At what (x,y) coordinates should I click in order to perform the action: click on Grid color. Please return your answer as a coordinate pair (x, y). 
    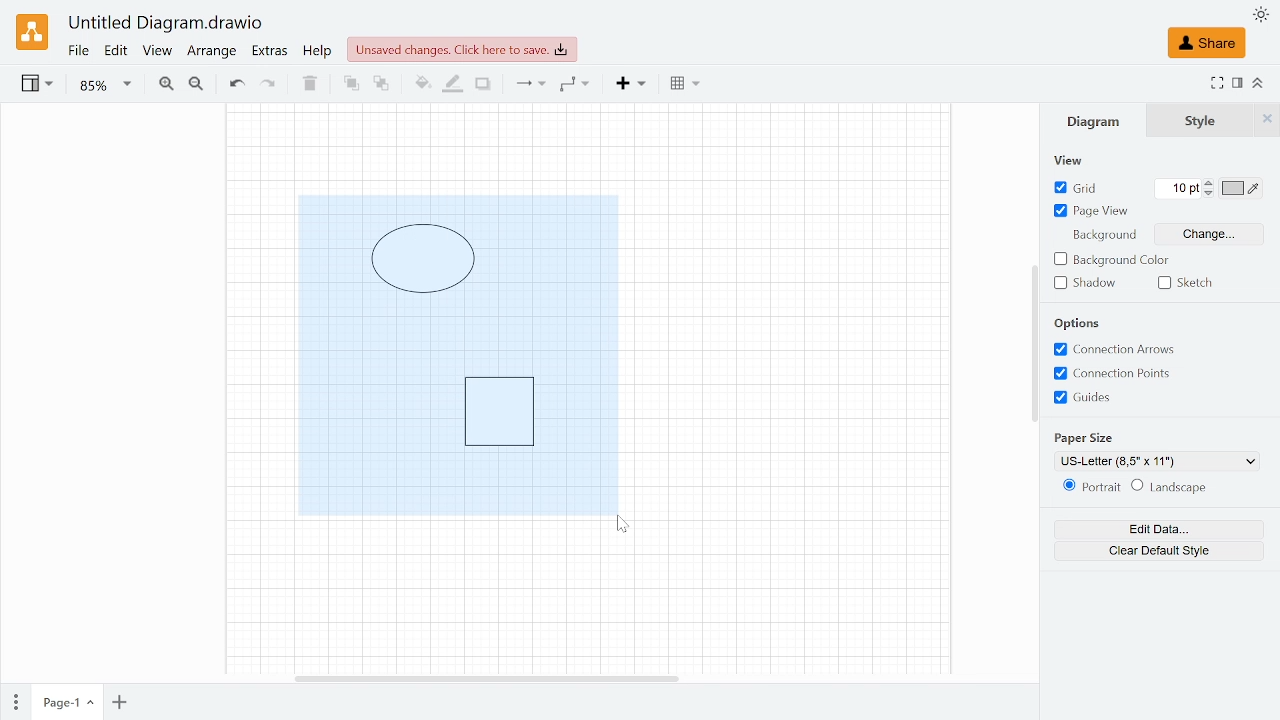
    Looking at the image, I should click on (1242, 188).